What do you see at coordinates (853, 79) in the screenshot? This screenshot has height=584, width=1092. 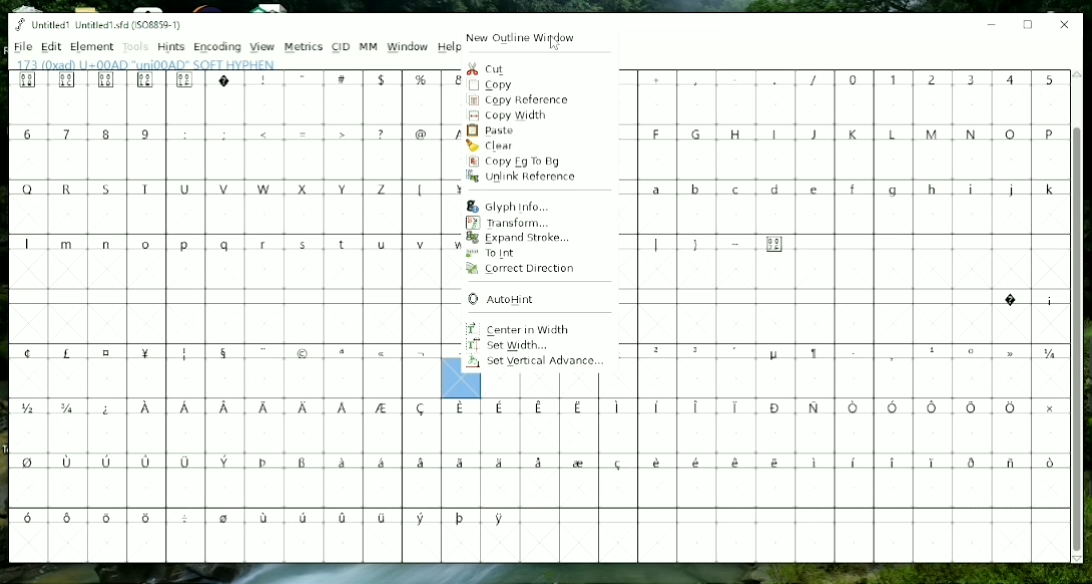 I see `Symbols` at bounding box center [853, 79].